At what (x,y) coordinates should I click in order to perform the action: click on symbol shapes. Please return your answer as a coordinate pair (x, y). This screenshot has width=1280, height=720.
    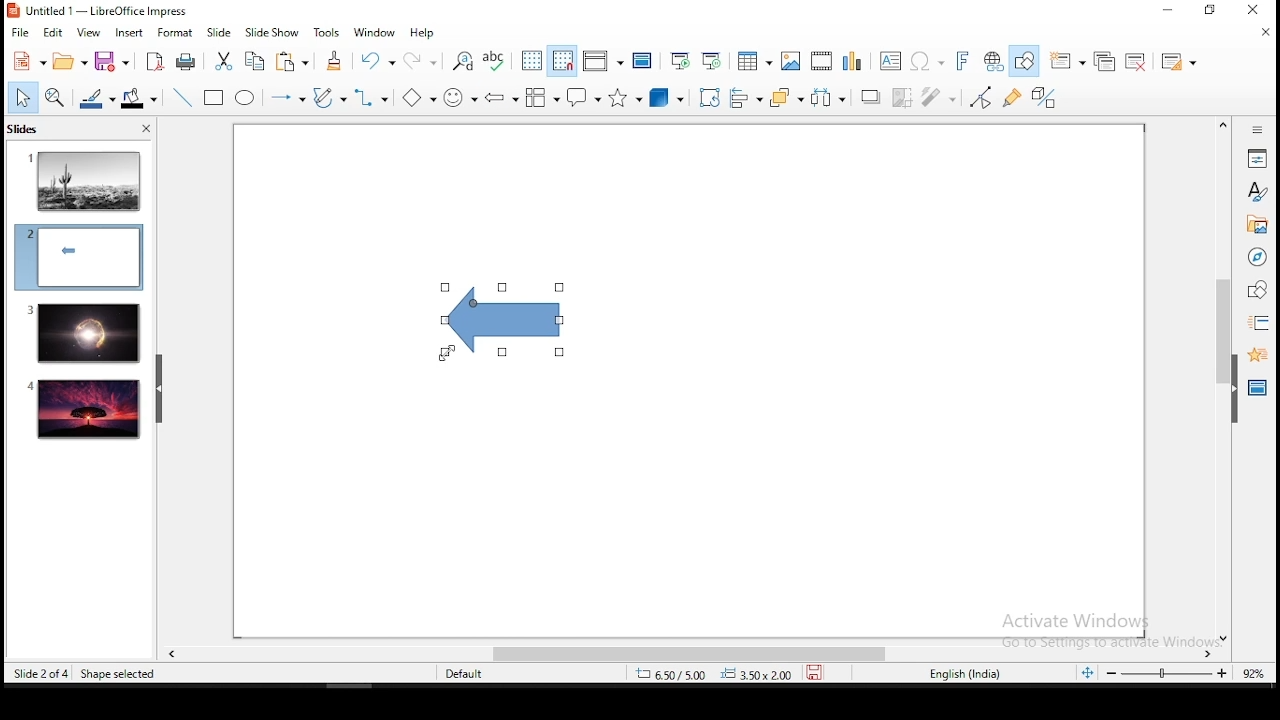
    Looking at the image, I should click on (460, 98).